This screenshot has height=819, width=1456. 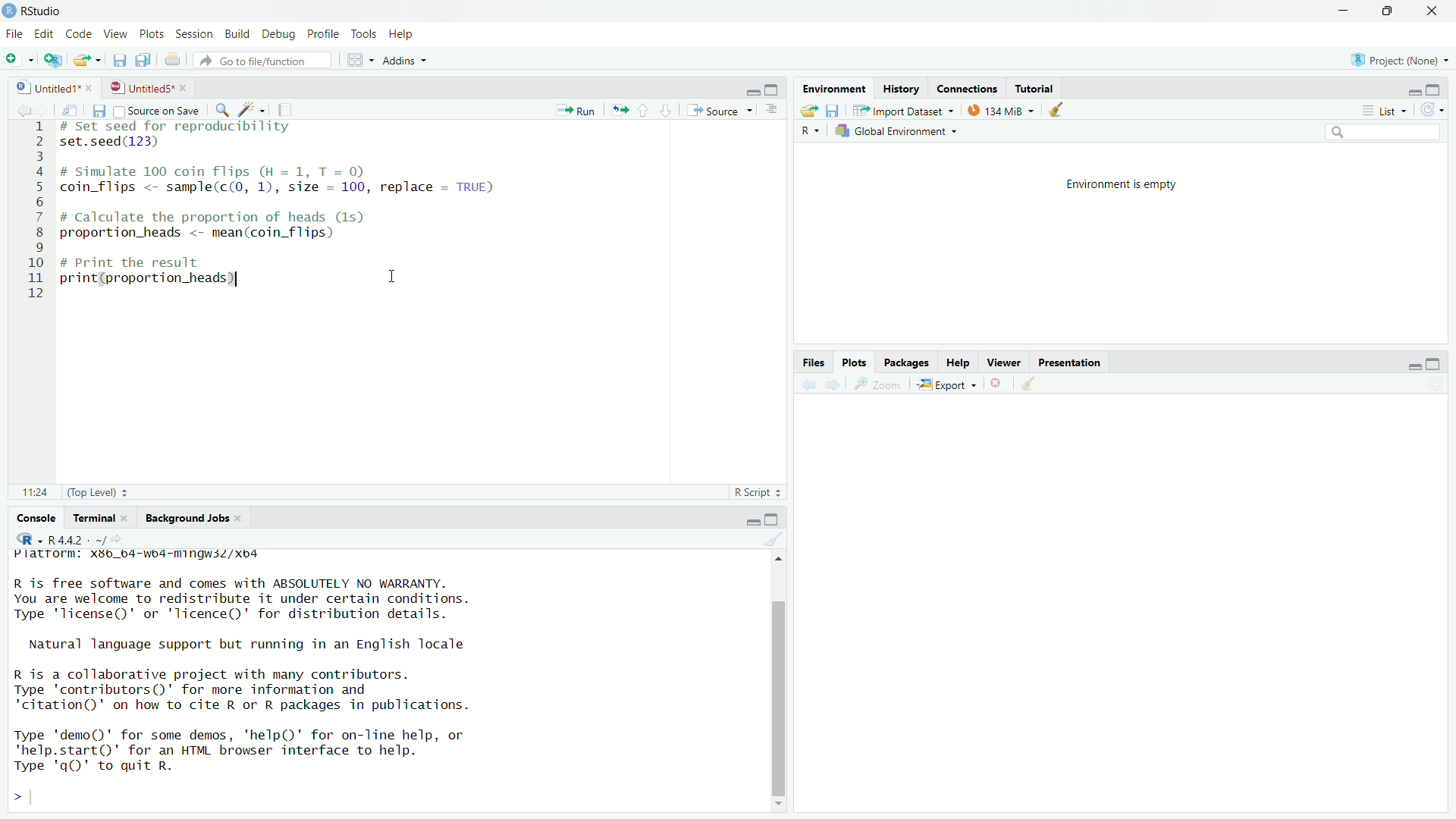 What do you see at coordinates (777, 802) in the screenshot?
I see `move down` at bounding box center [777, 802].